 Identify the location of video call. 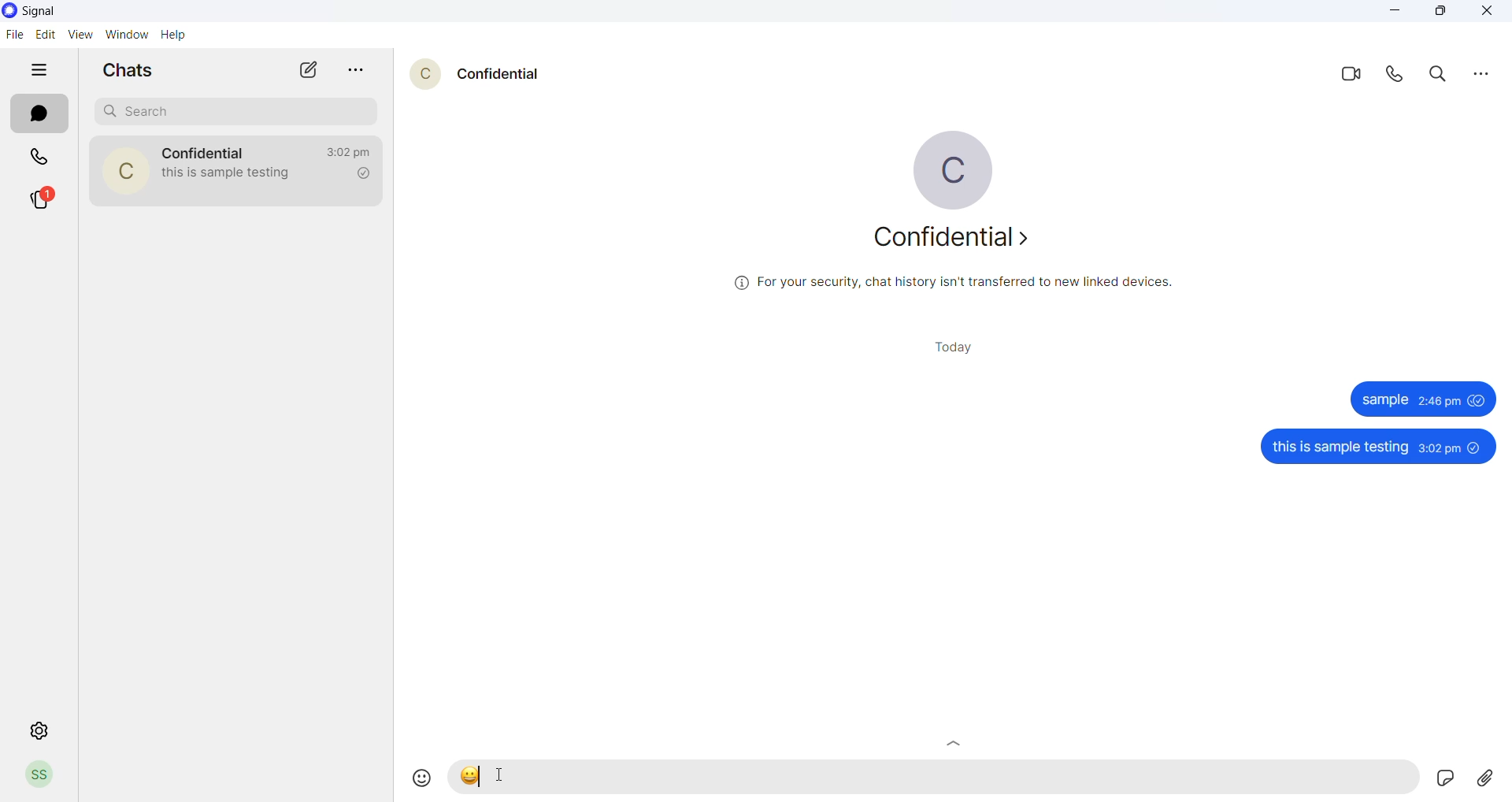
(1350, 76).